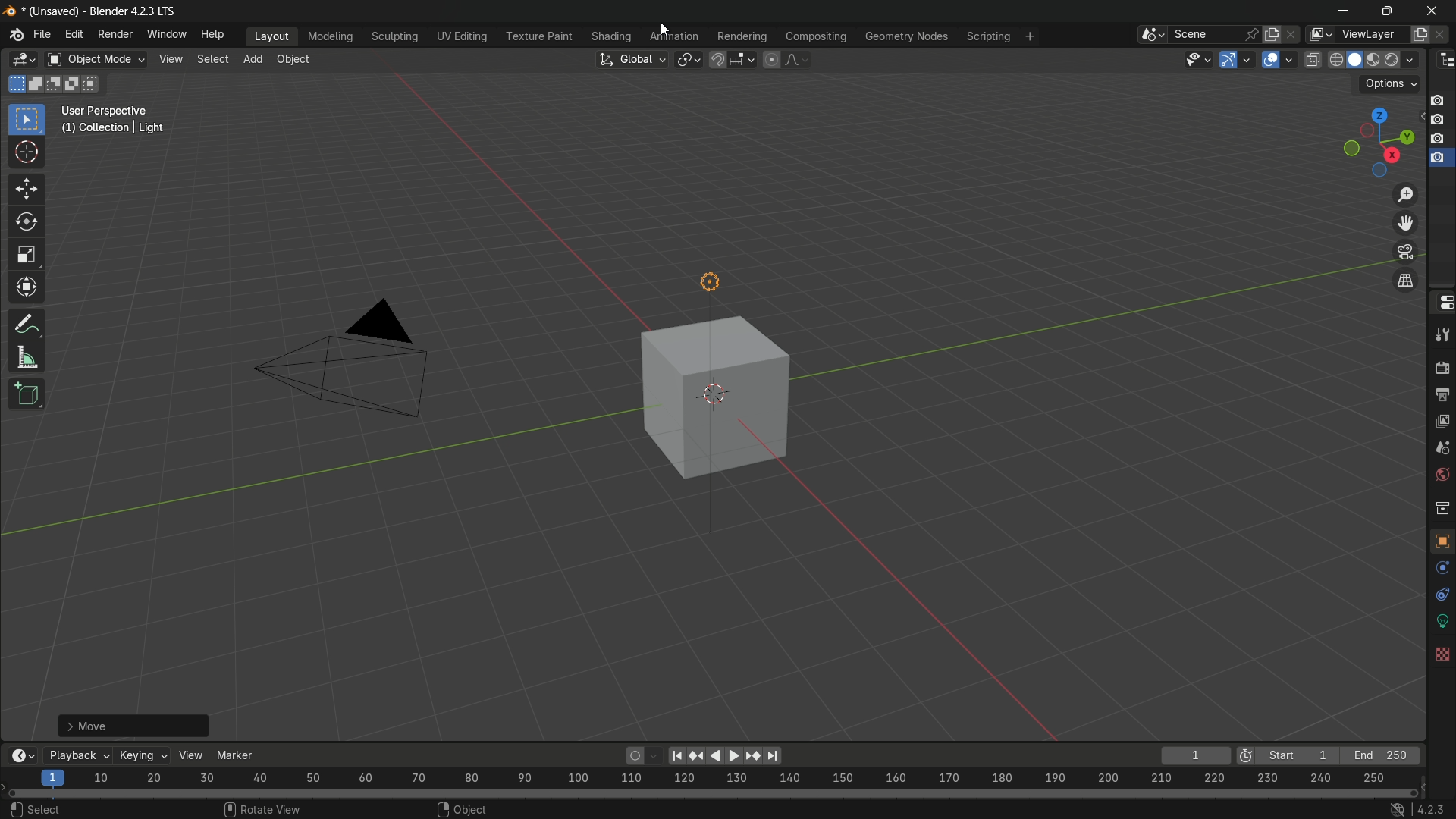  I want to click on auto keyframing, so click(642, 755).